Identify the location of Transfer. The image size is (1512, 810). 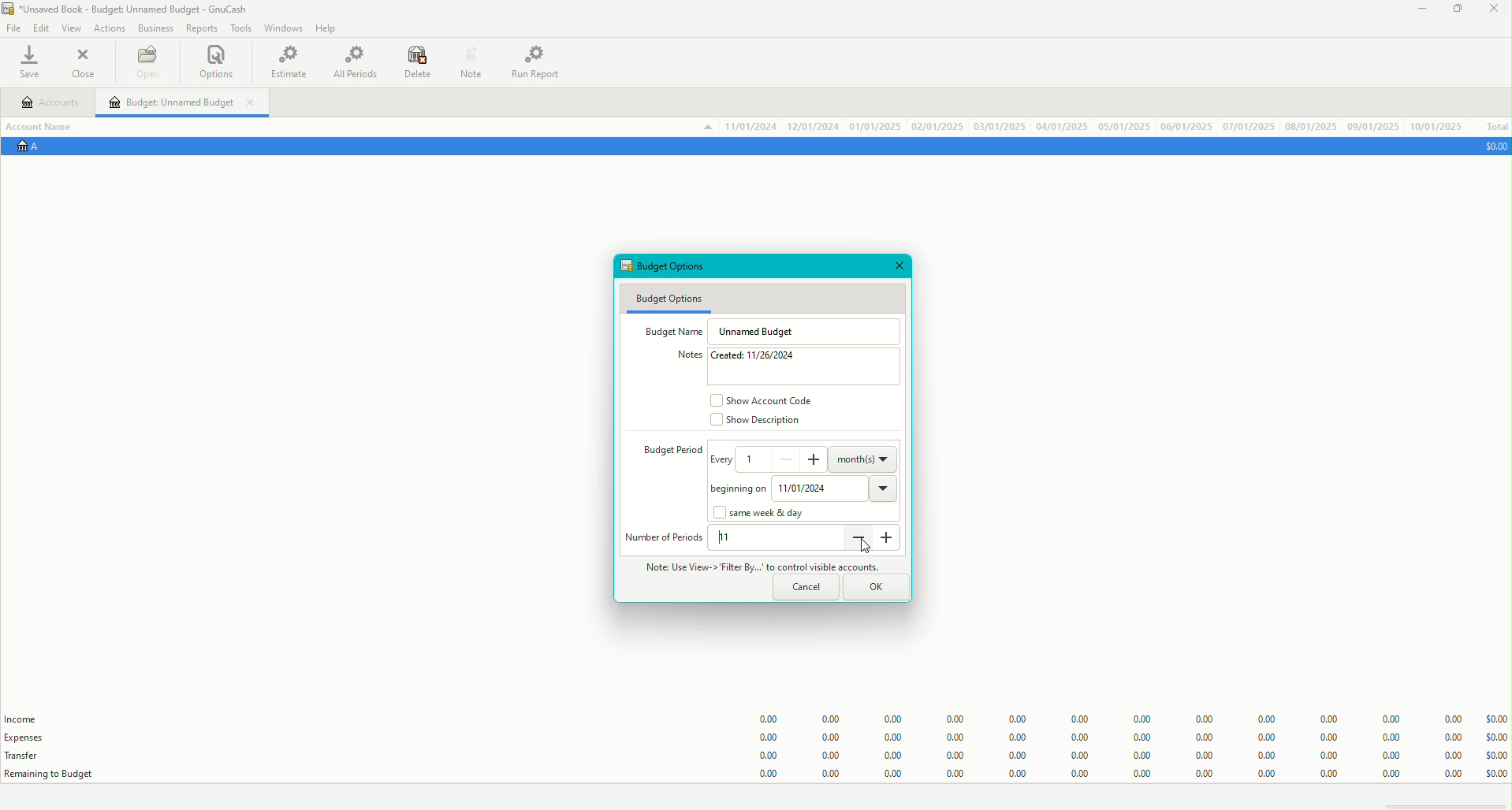
(31, 755).